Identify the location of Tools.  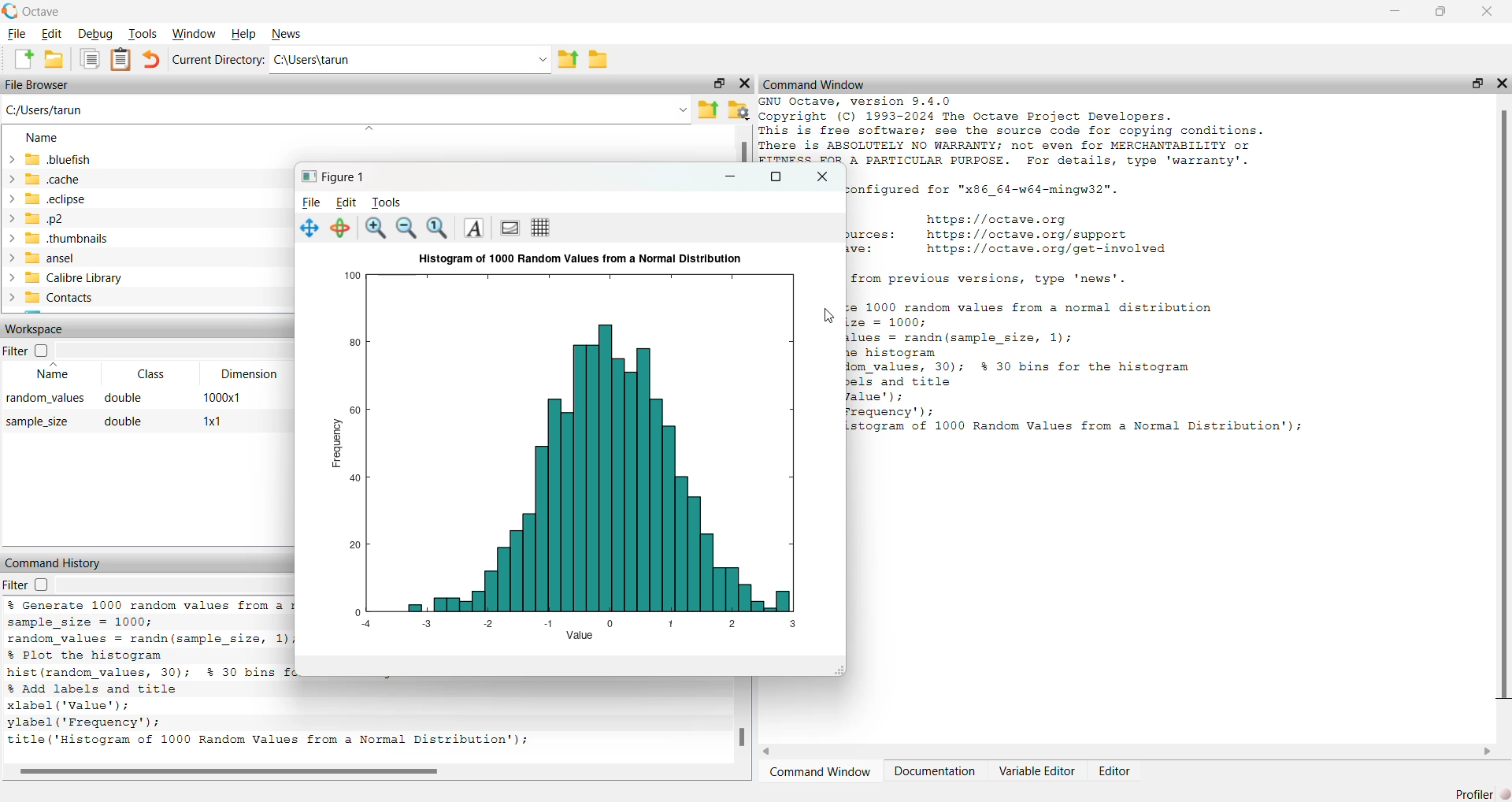
(387, 203).